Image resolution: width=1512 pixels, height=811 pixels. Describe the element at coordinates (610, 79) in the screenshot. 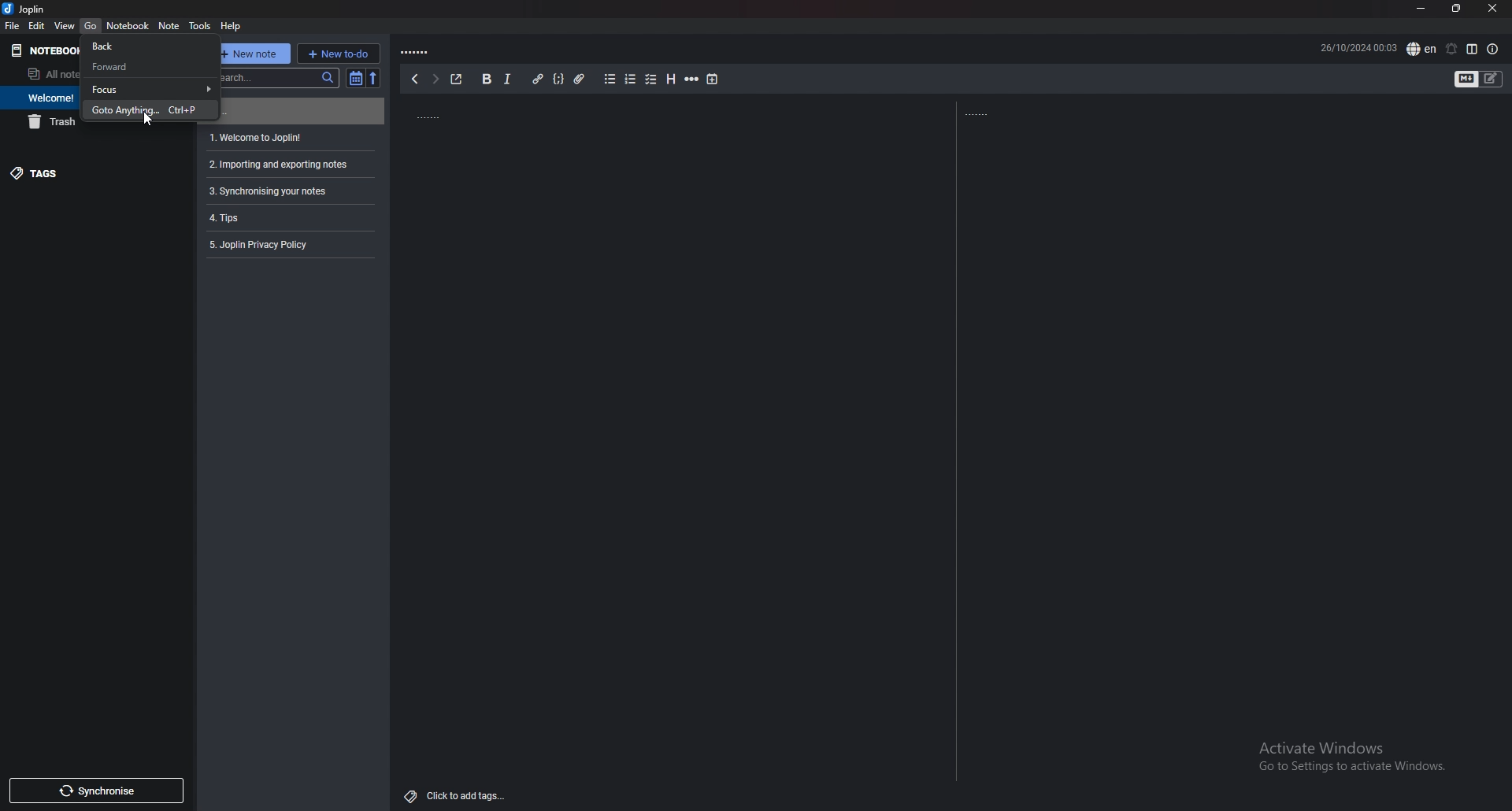

I see `bullet list` at that location.